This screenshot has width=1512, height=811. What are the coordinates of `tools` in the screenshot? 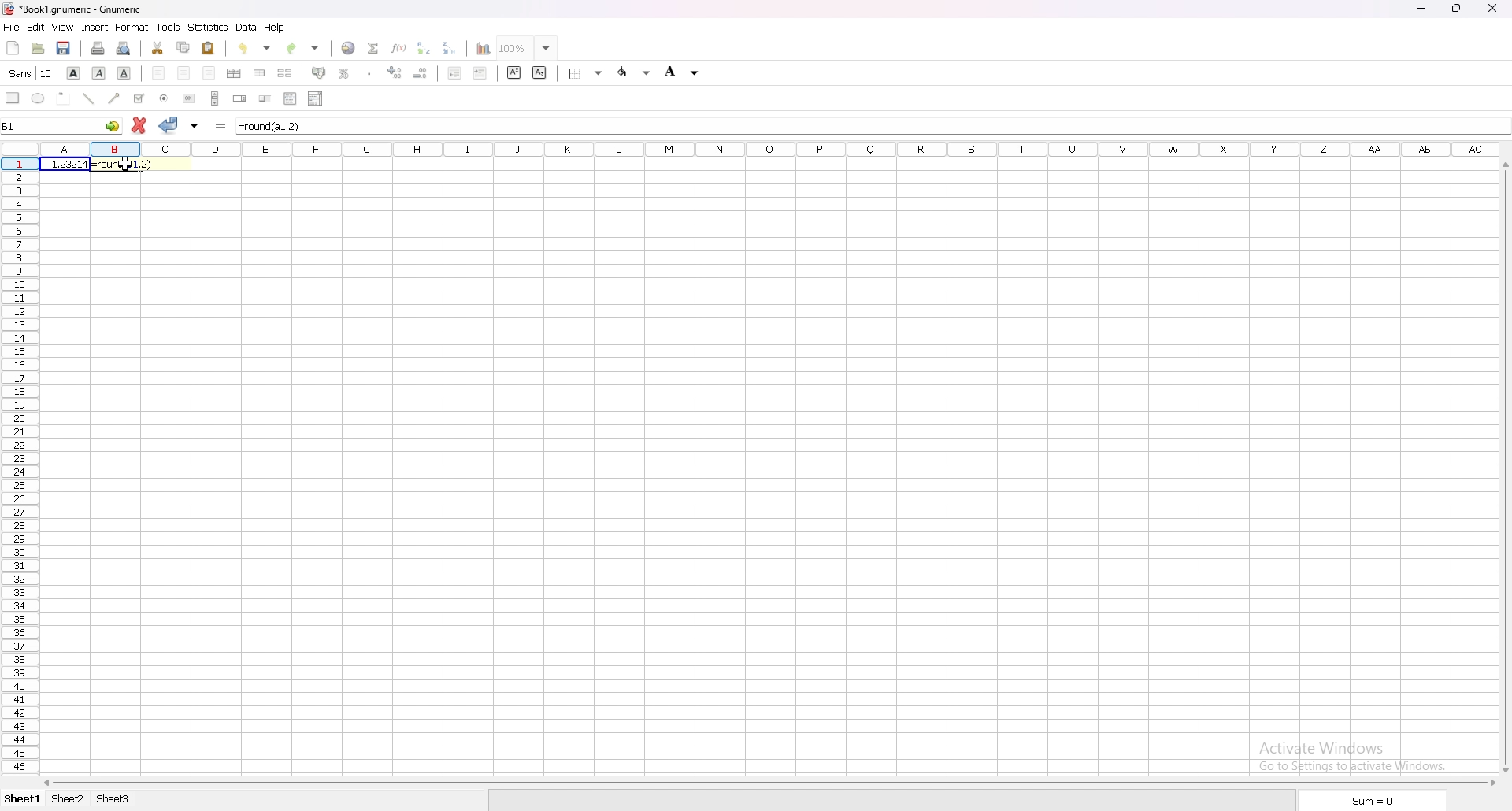 It's located at (169, 27).